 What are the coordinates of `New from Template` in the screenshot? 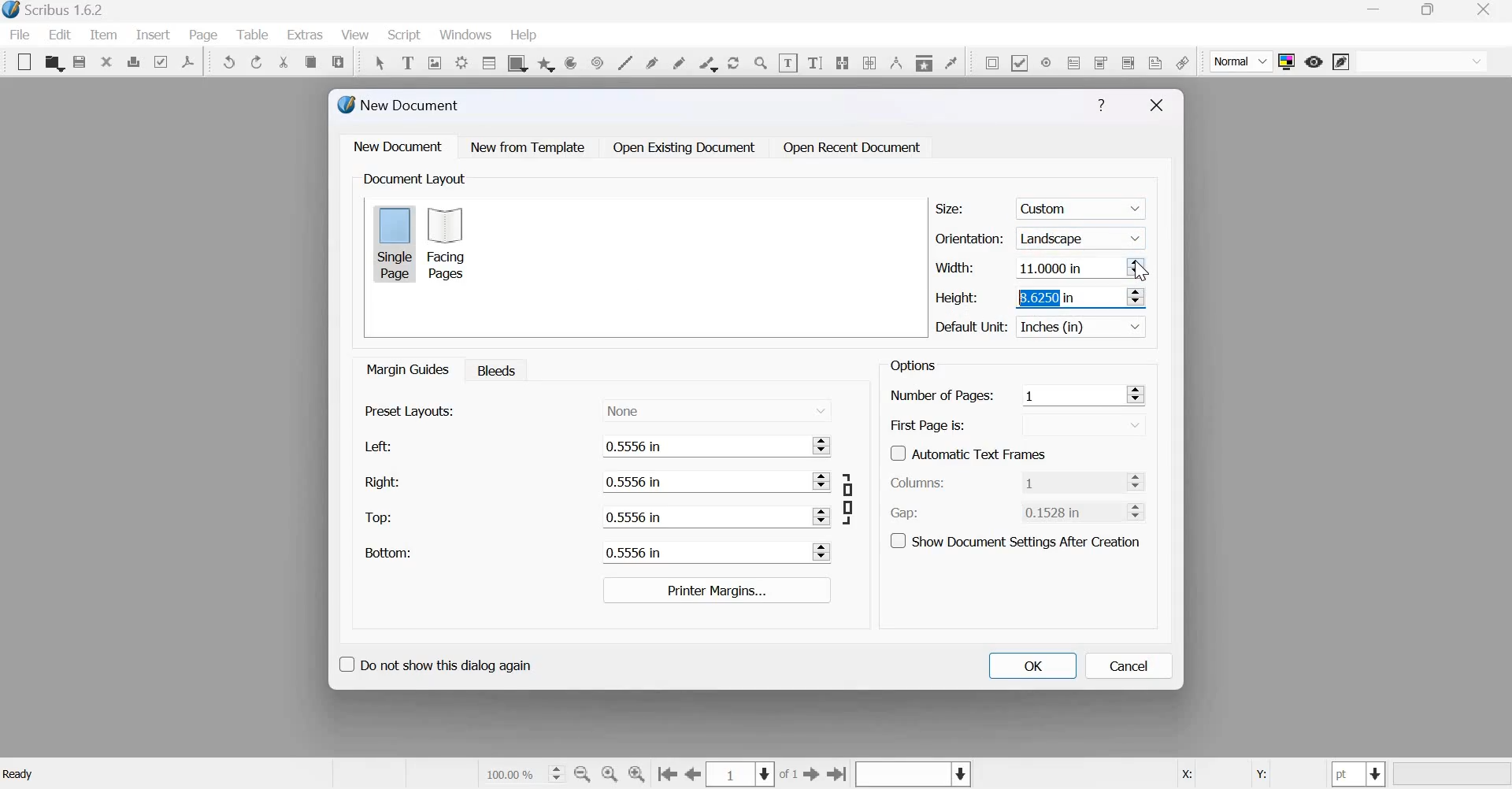 It's located at (531, 146).